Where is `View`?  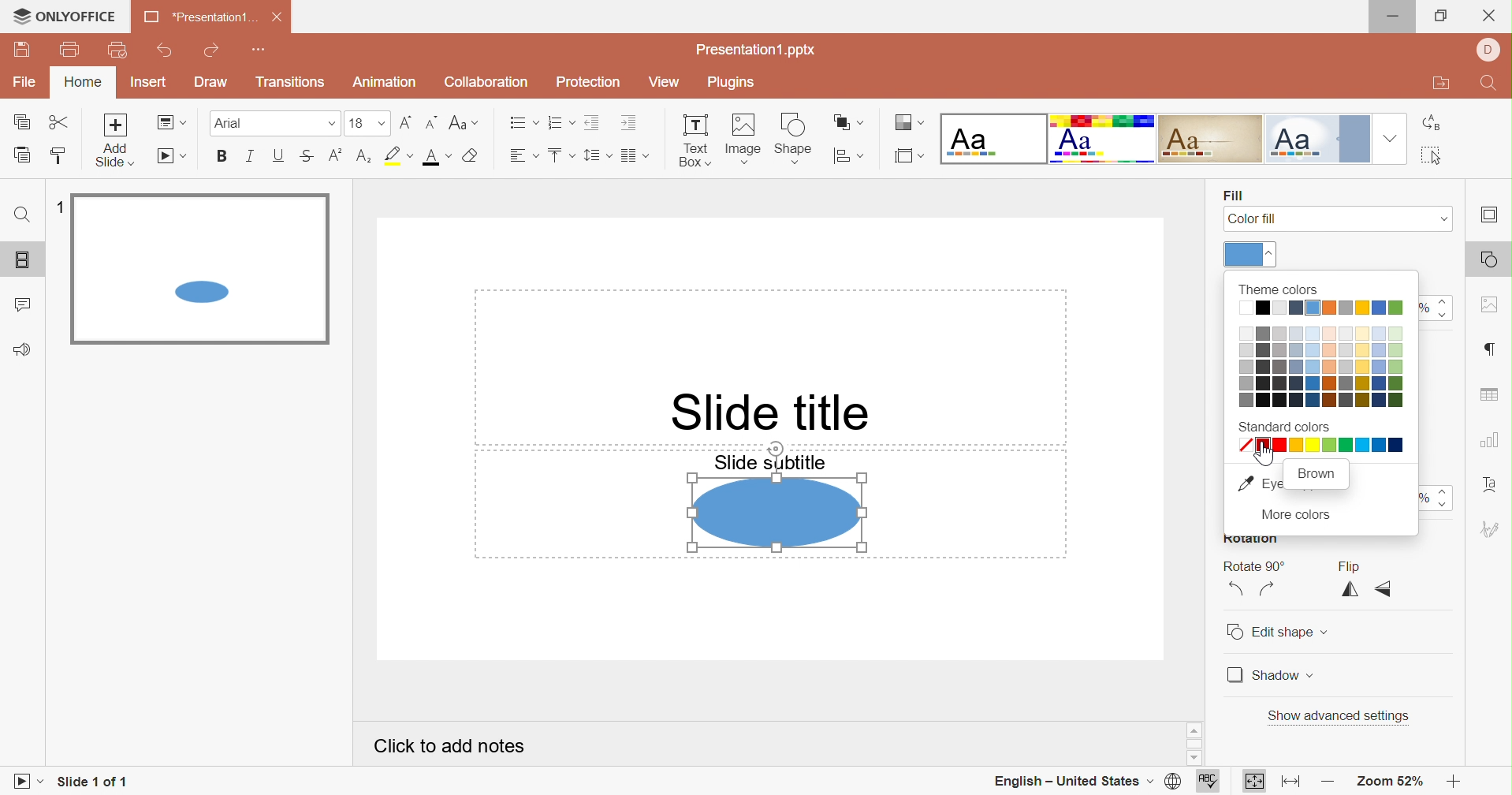 View is located at coordinates (665, 84).